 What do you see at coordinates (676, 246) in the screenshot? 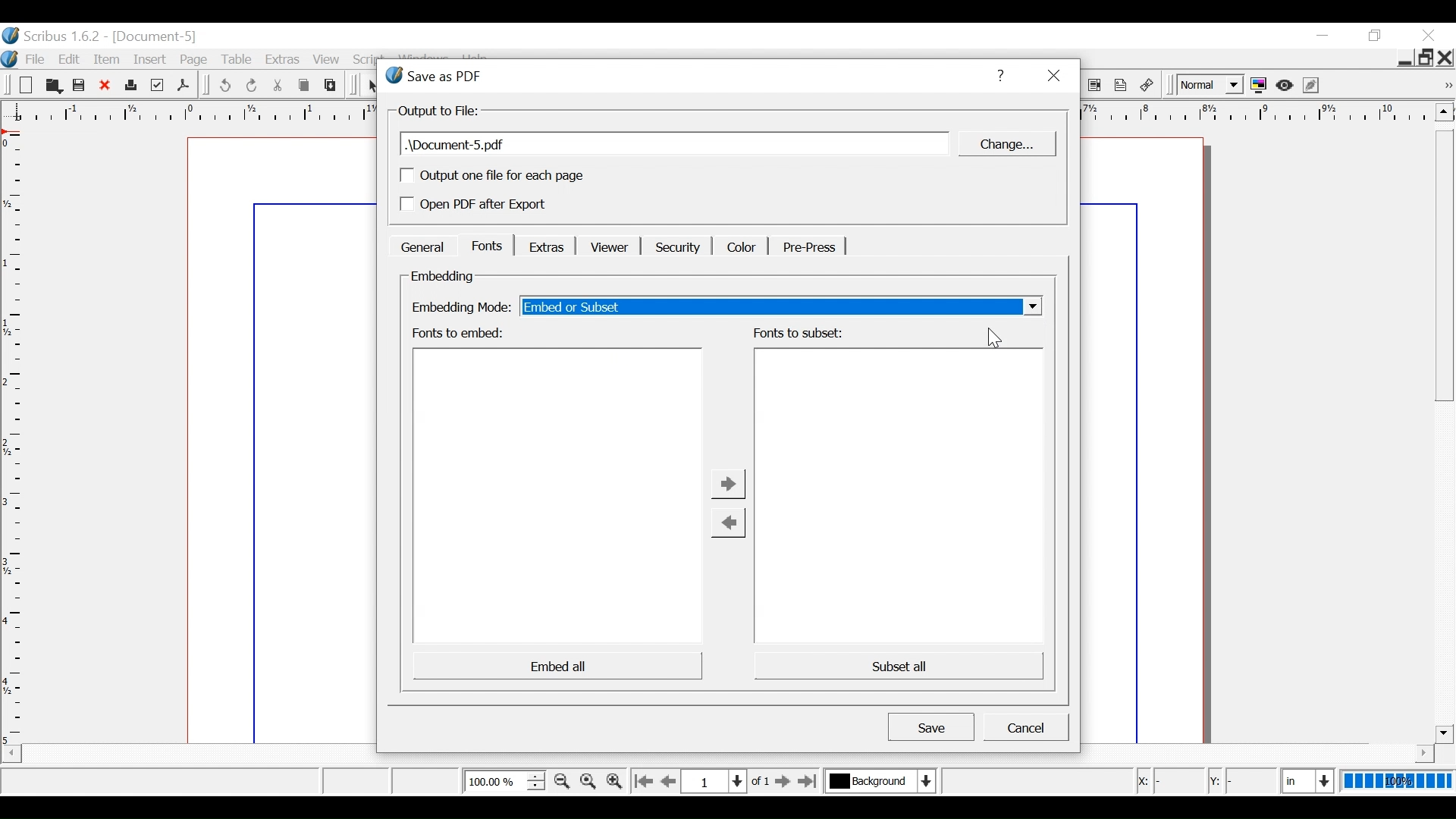
I see `Security` at bounding box center [676, 246].